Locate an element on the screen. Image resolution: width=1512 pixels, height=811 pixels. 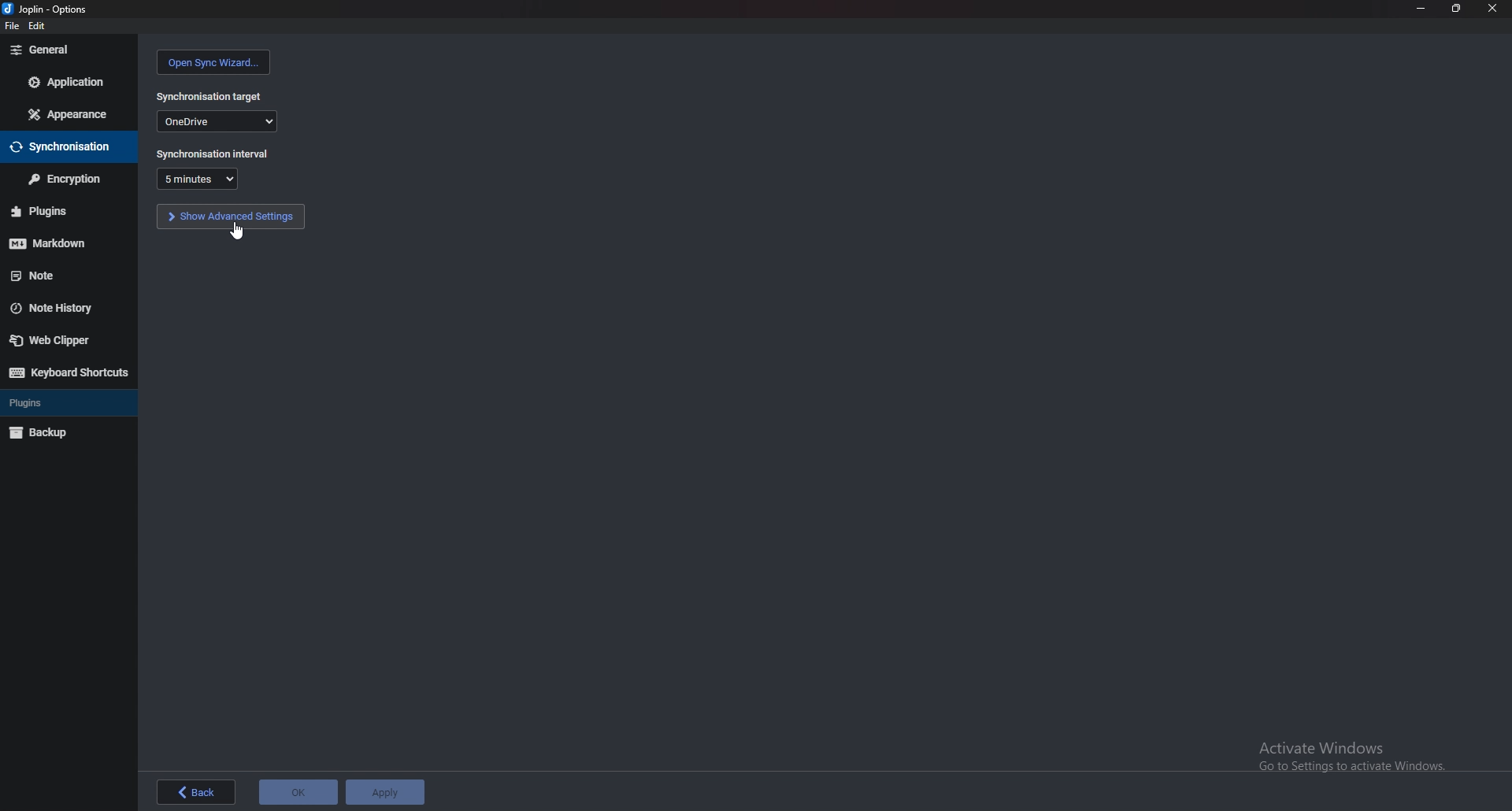
show advanced settings is located at coordinates (231, 217).